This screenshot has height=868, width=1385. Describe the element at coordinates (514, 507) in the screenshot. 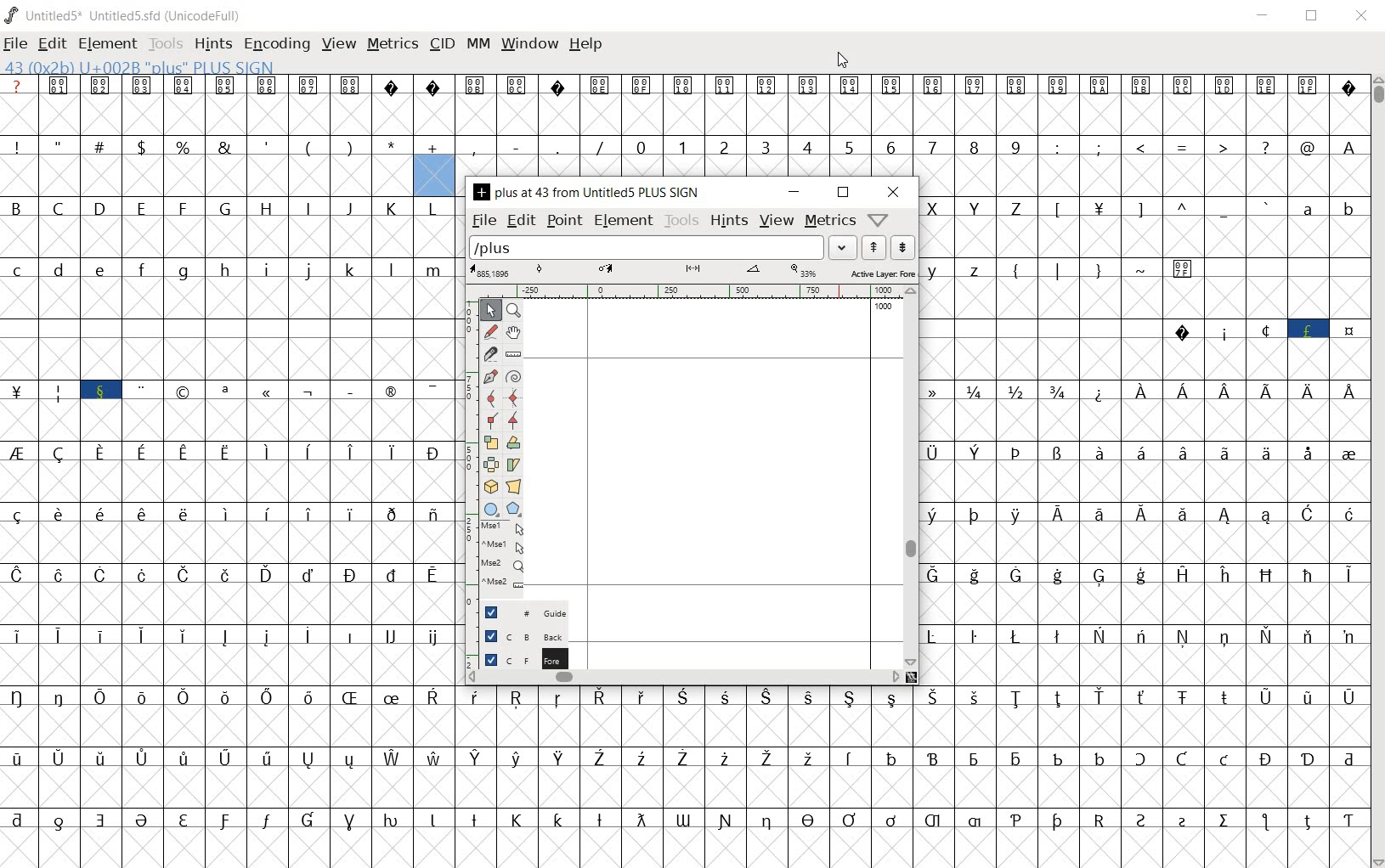

I see `polygon or star` at that location.